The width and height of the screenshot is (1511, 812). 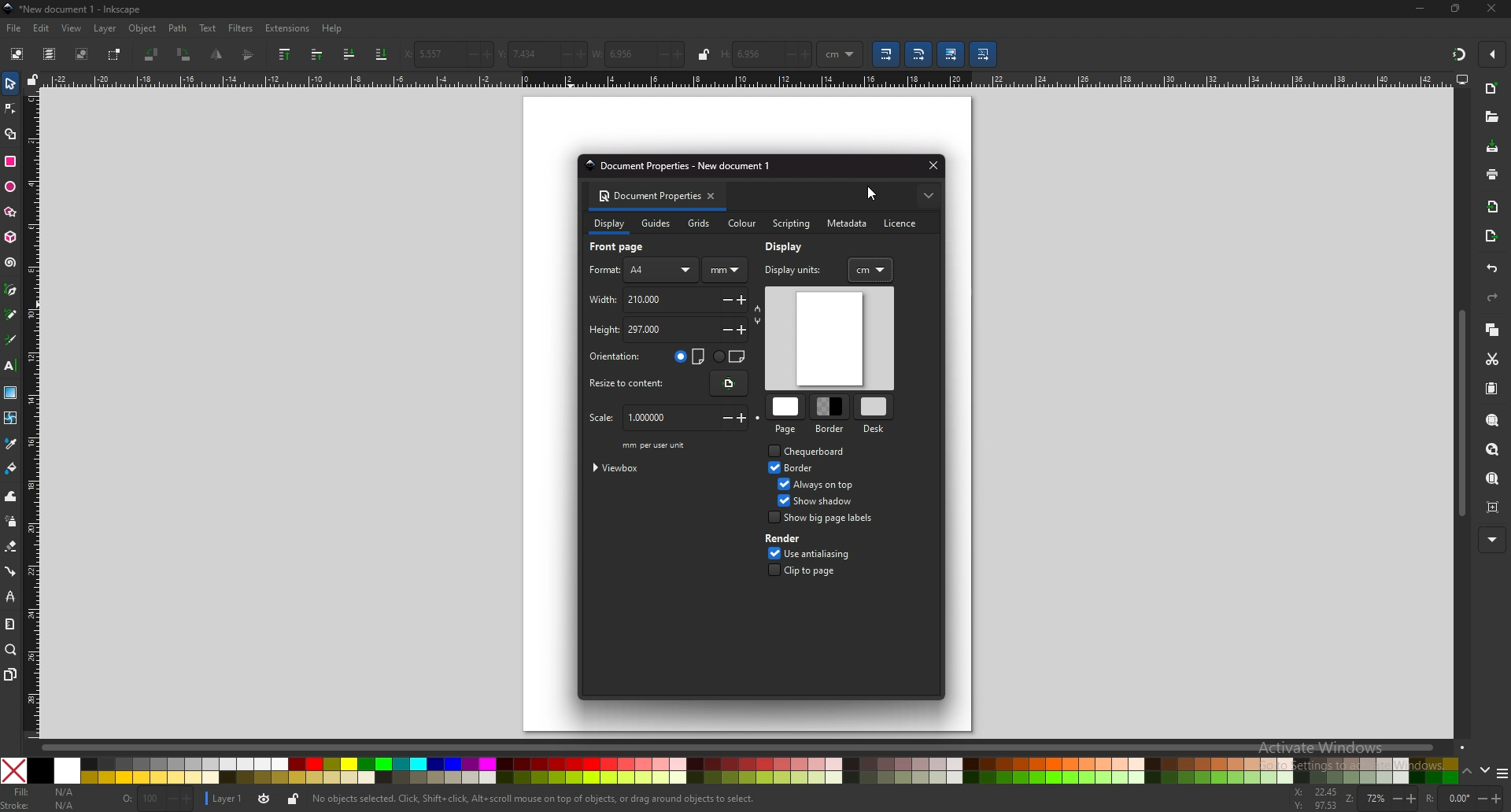 I want to click on object, so click(x=142, y=29).